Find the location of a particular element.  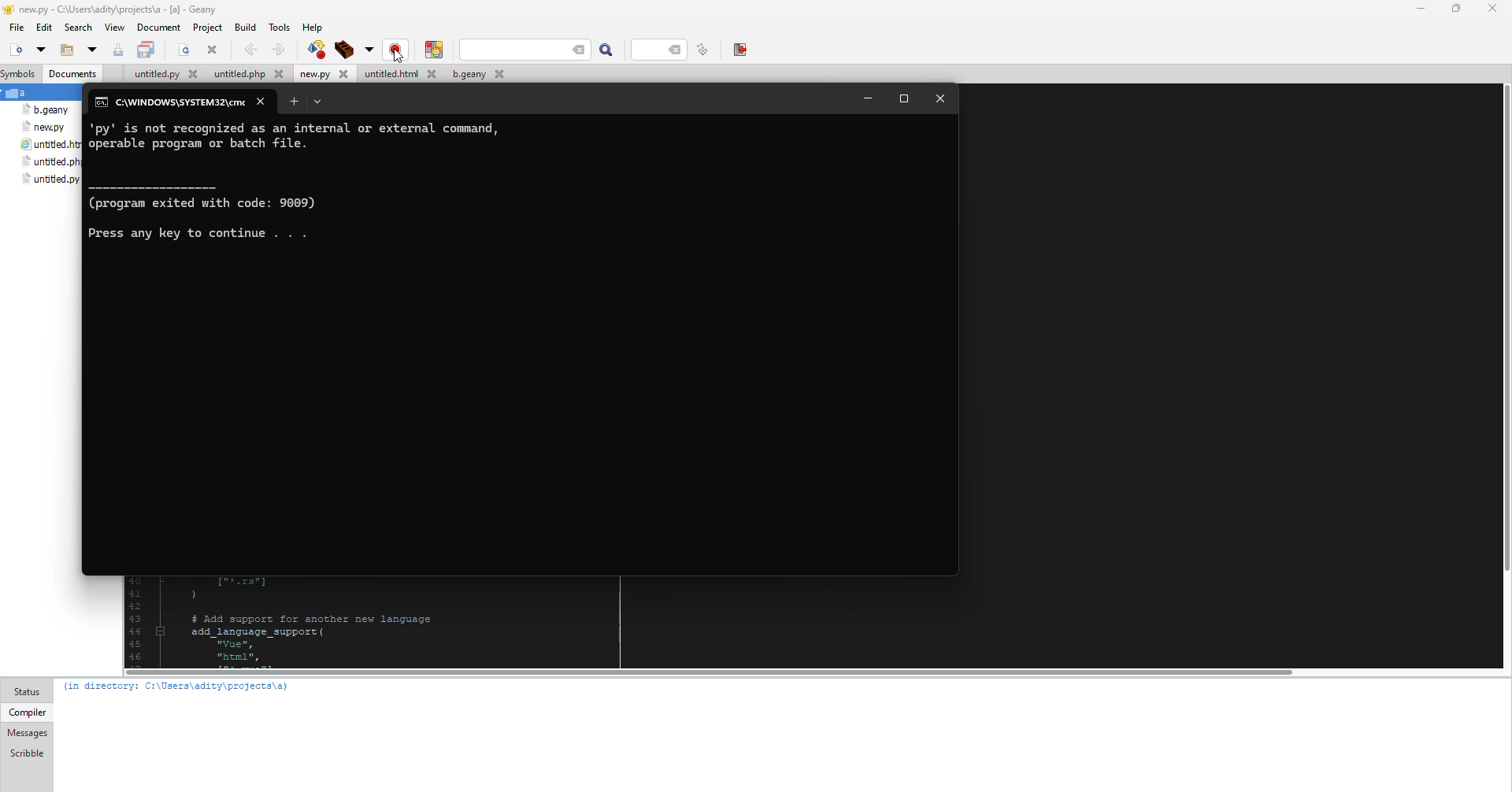

info is located at coordinates (313, 138).